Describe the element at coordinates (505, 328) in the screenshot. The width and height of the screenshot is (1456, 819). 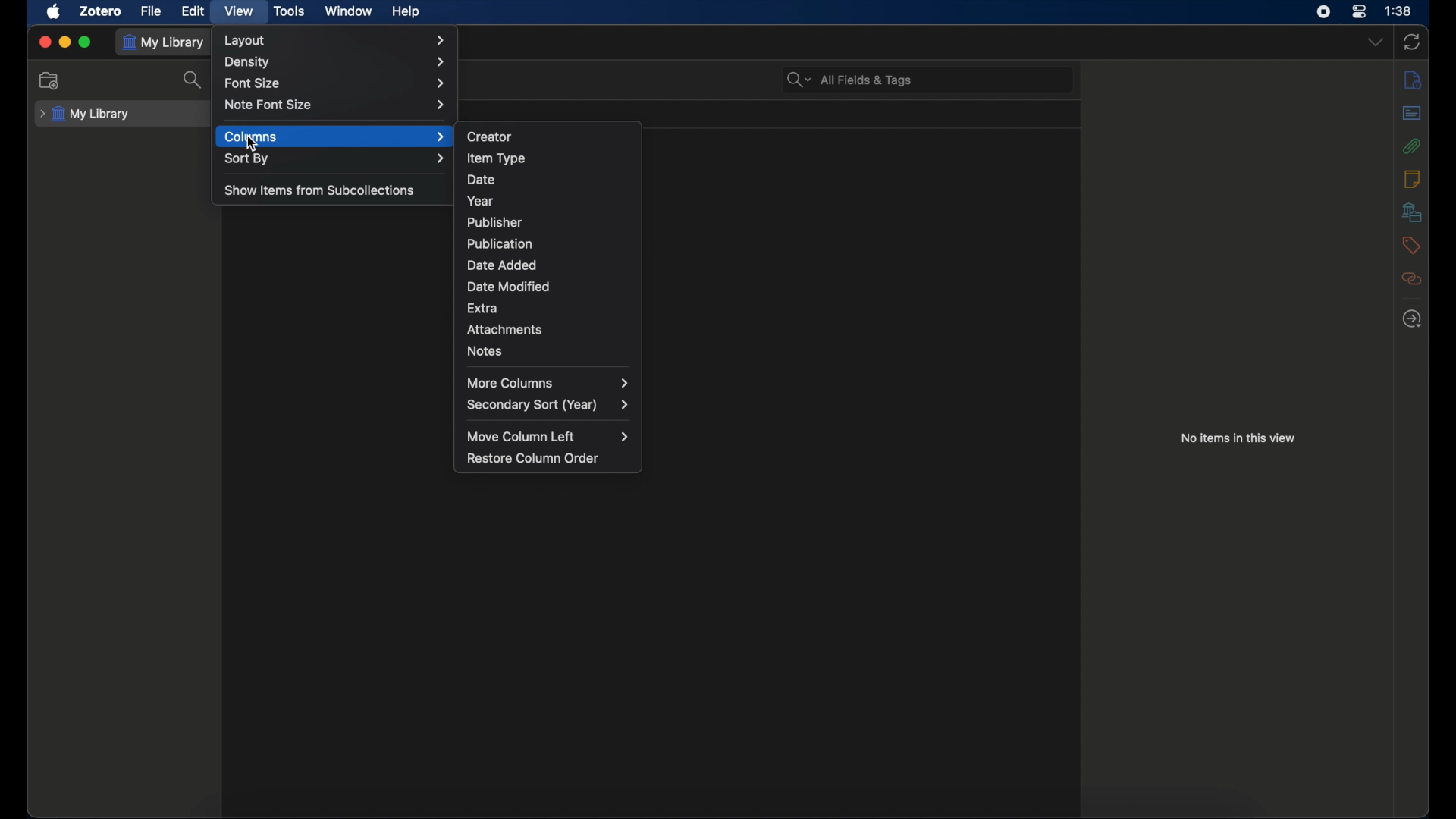
I see `attachments` at that location.